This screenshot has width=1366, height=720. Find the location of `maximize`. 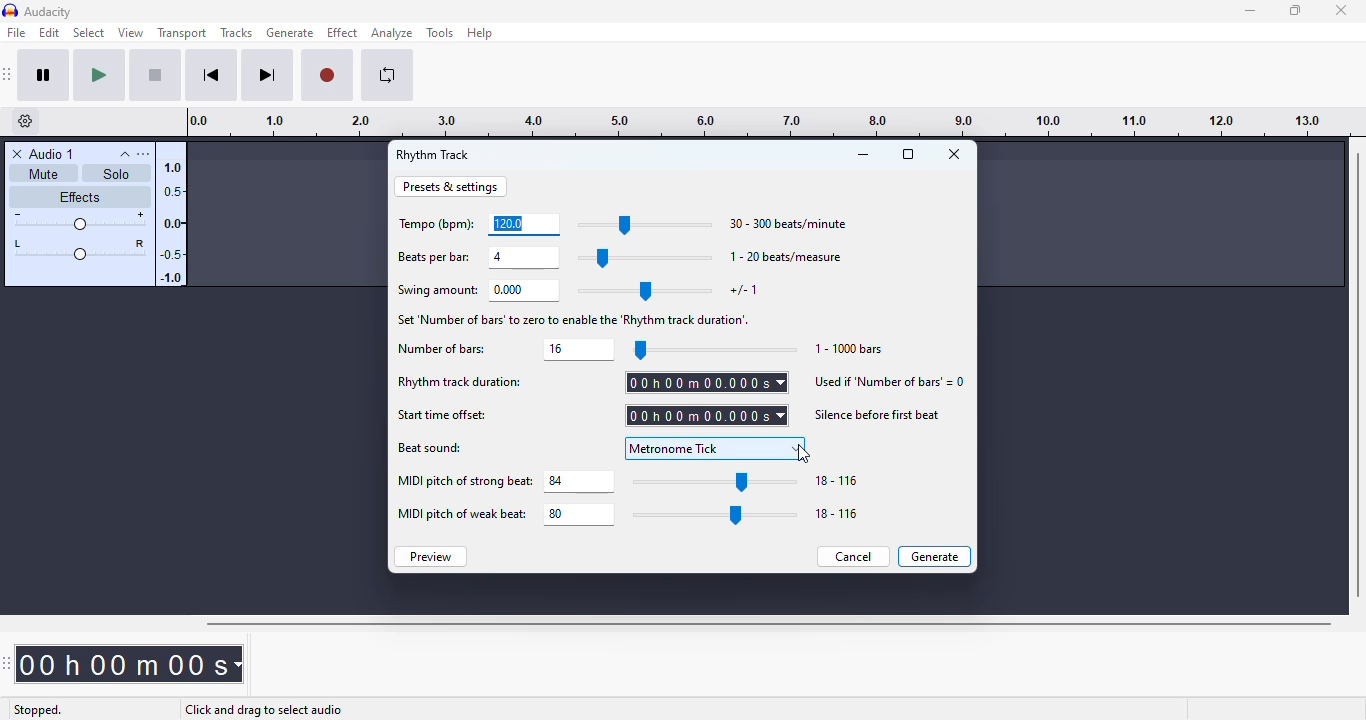

maximize is located at coordinates (908, 153).